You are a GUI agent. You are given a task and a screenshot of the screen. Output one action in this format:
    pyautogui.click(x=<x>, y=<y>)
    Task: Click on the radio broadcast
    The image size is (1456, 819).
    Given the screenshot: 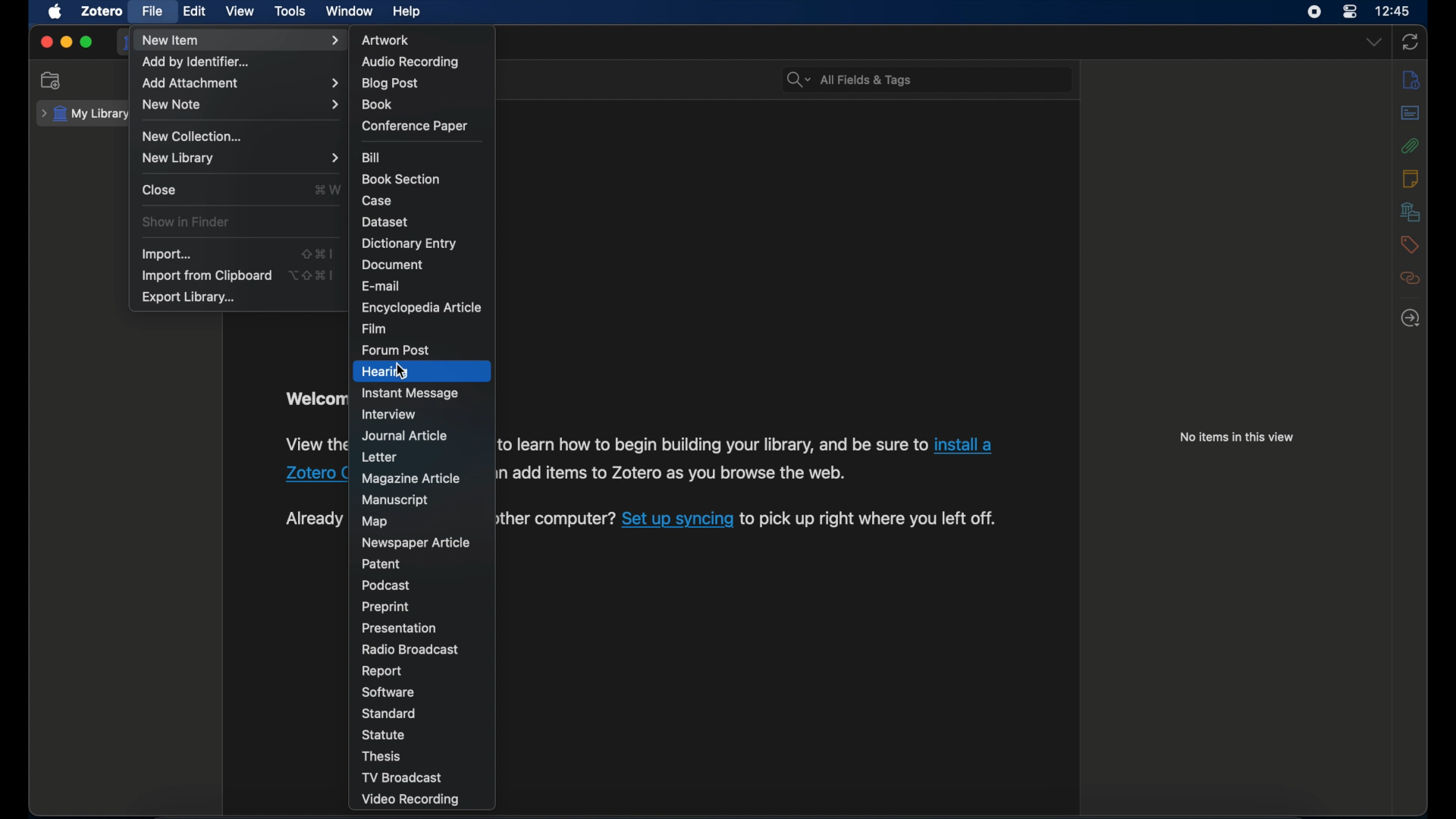 What is the action you would take?
    pyautogui.click(x=410, y=649)
    